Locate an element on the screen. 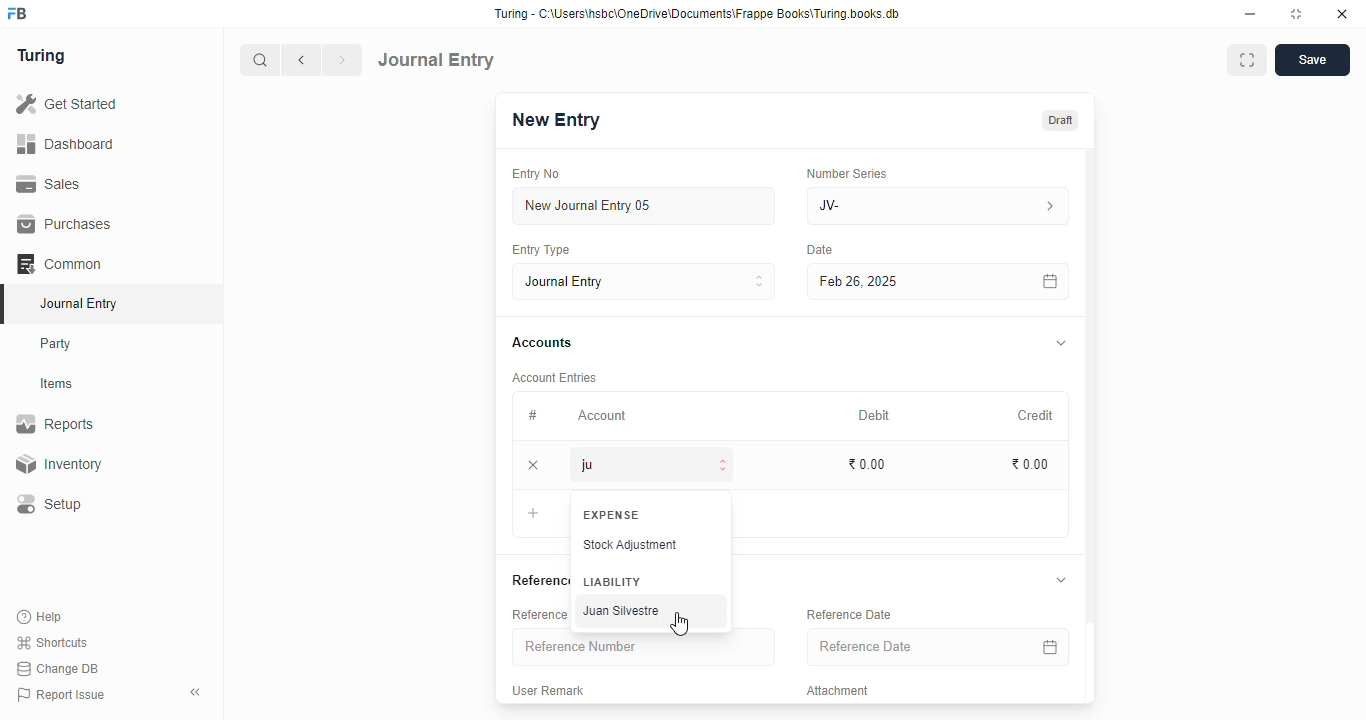  references is located at coordinates (537, 580).